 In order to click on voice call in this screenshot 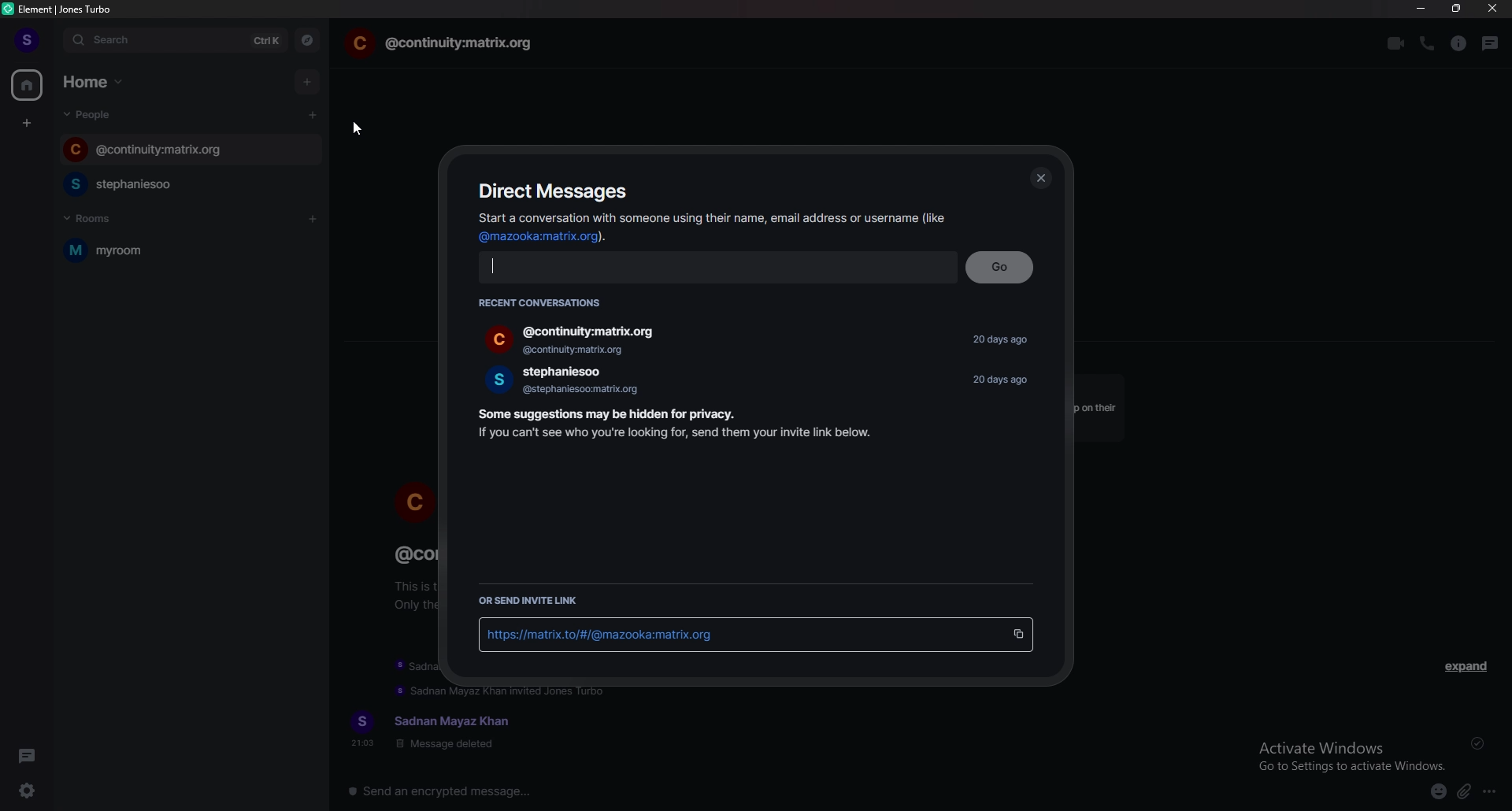, I will do `click(1425, 43)`.